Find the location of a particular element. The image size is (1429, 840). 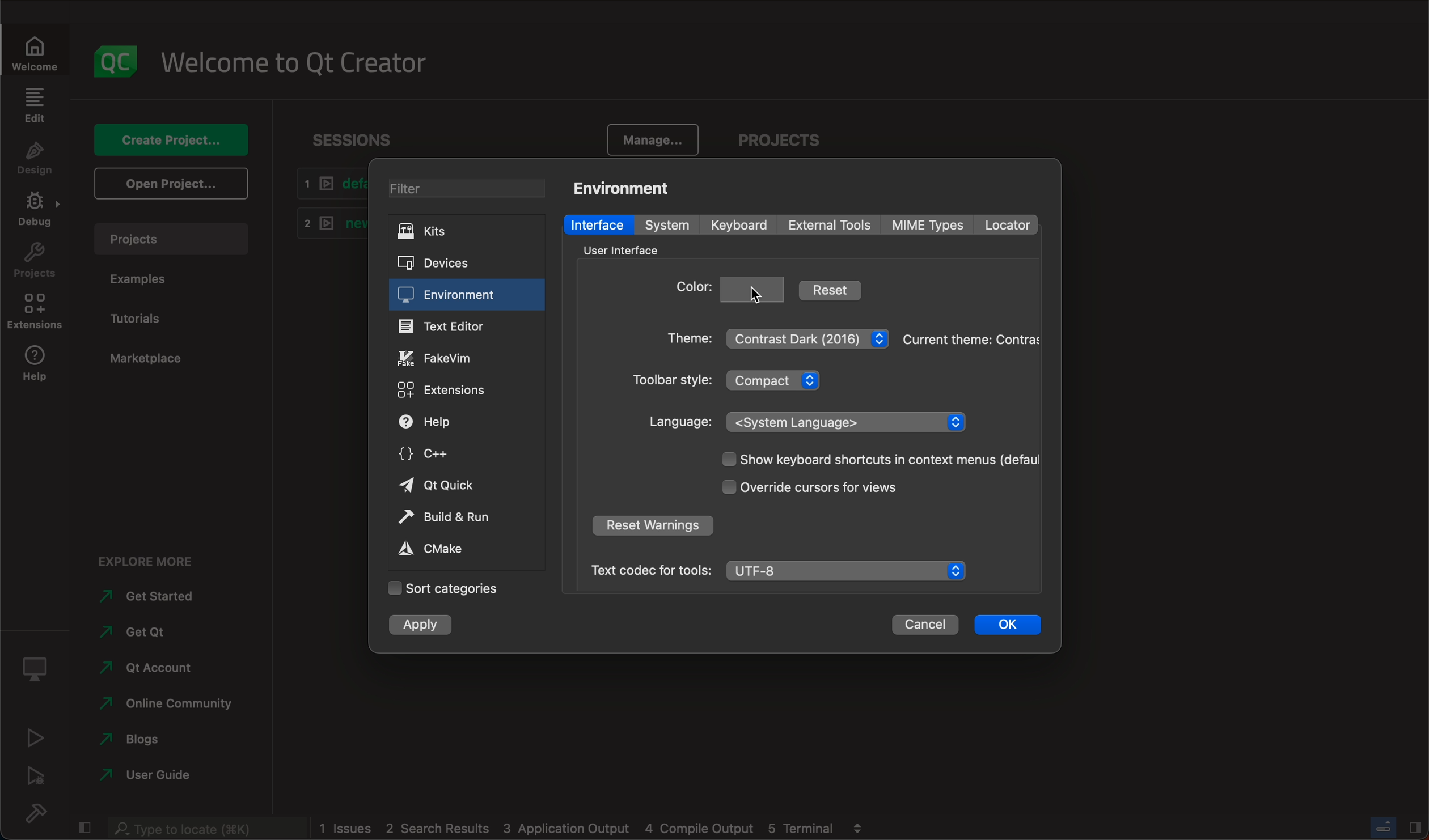

environment is located at coordinates (628, 187).